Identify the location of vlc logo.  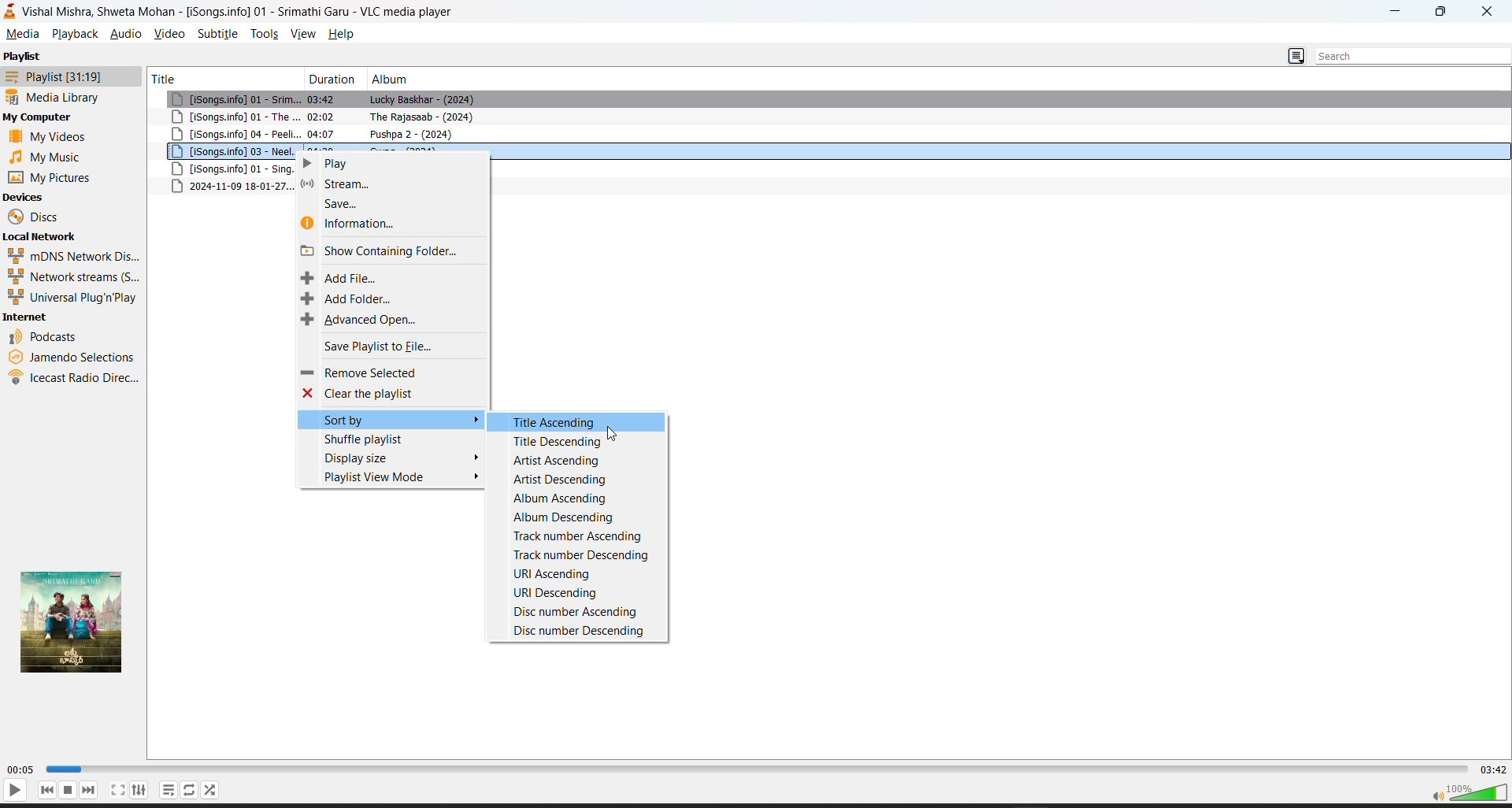
(9, 11).